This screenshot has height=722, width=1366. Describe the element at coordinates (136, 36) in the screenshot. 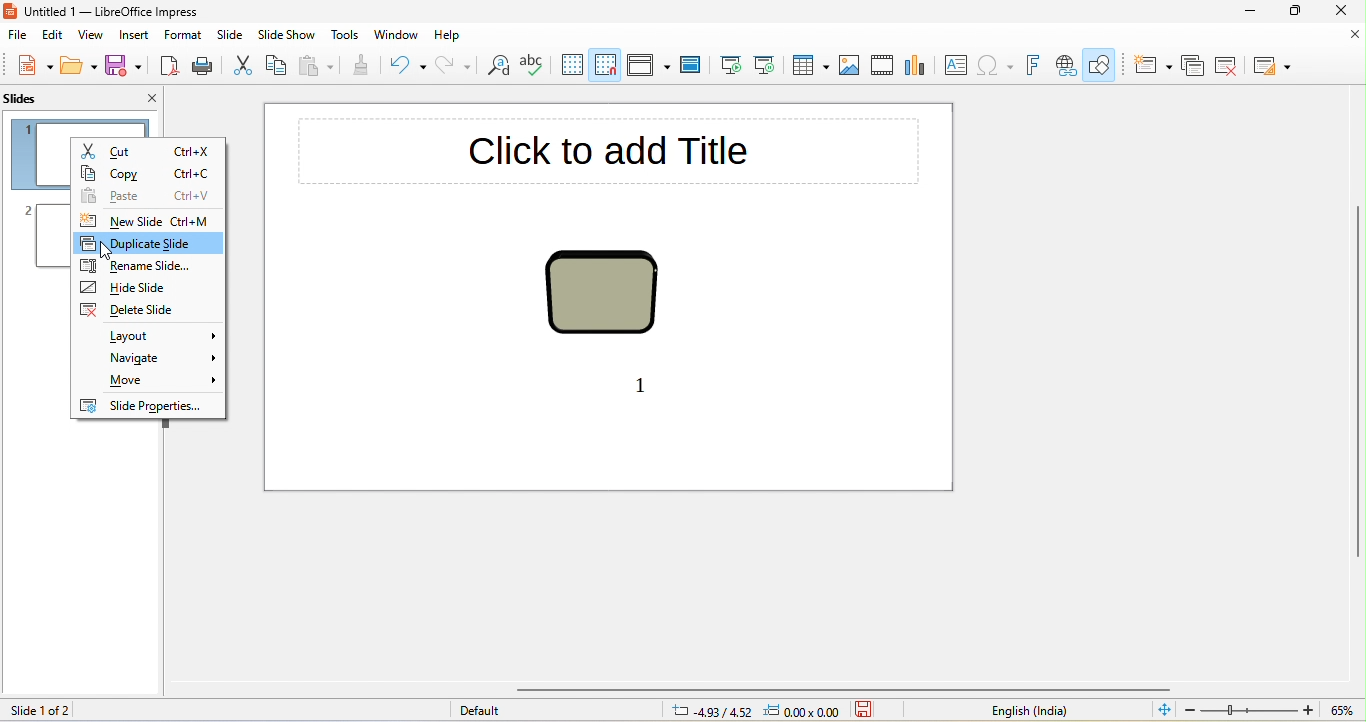

I see `insert` at that location.